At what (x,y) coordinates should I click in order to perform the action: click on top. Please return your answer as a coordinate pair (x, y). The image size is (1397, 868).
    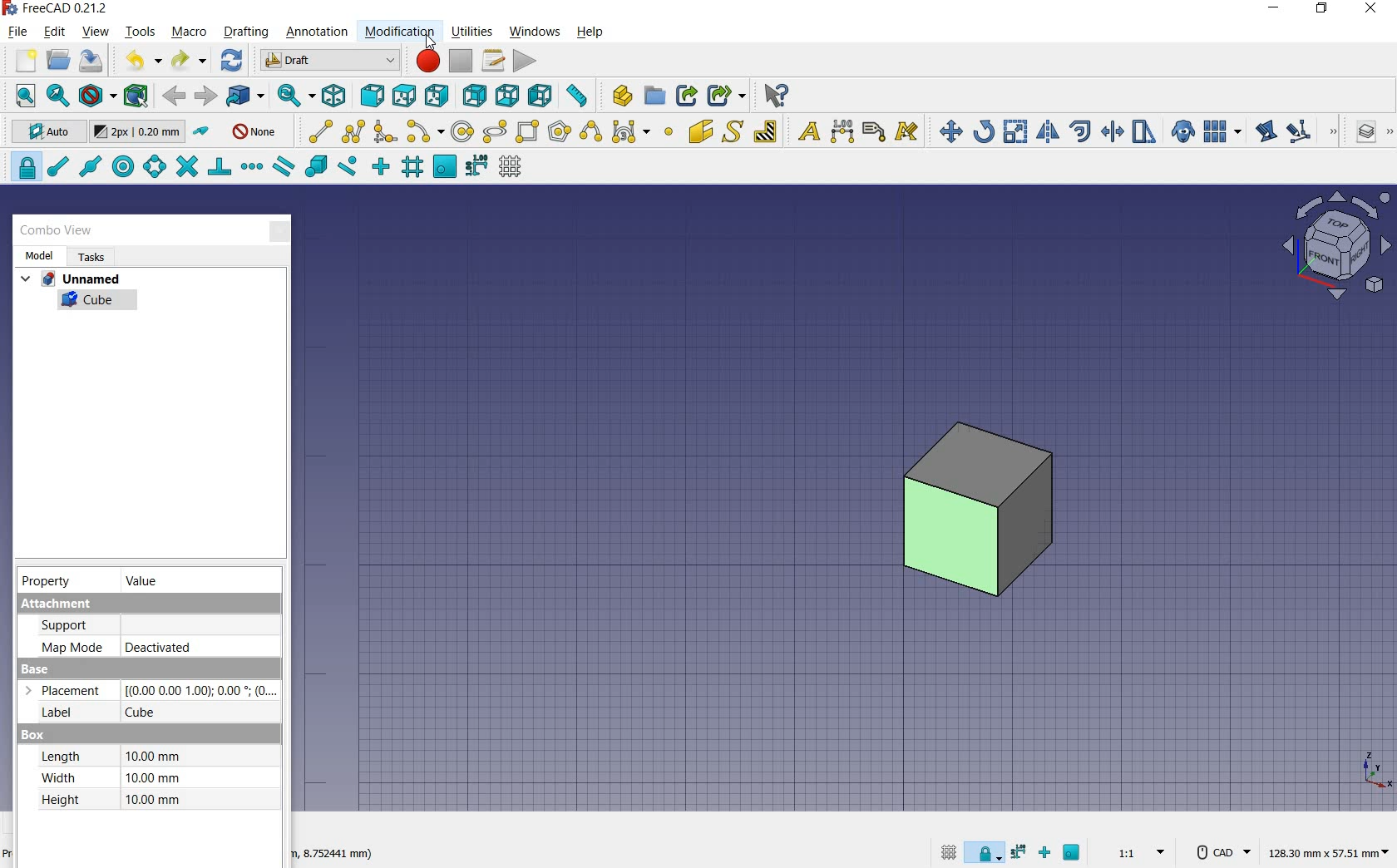
    Looking at the image, I should click on (407, 95).